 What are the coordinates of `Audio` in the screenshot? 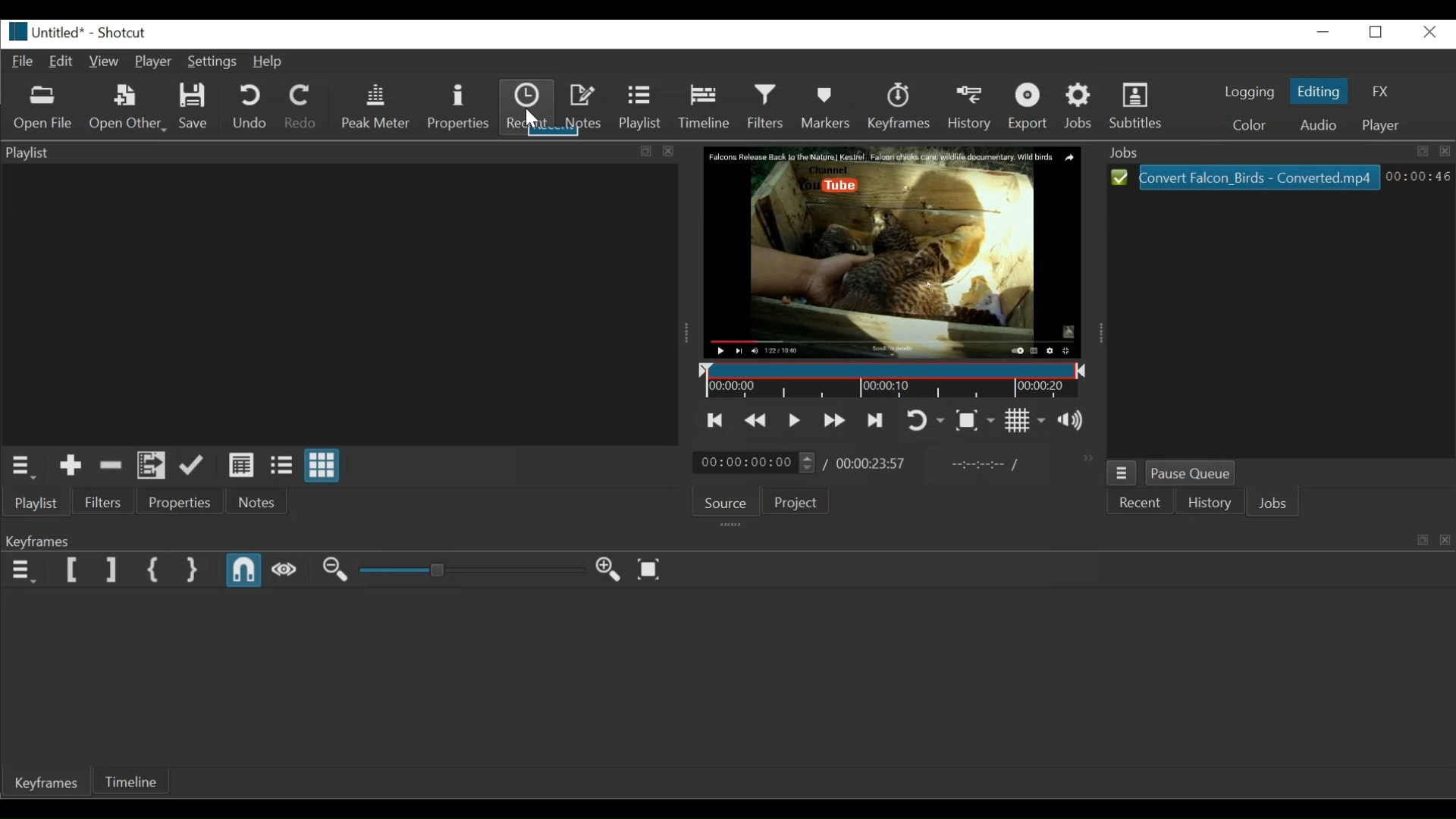 It's located at (1318, 125).